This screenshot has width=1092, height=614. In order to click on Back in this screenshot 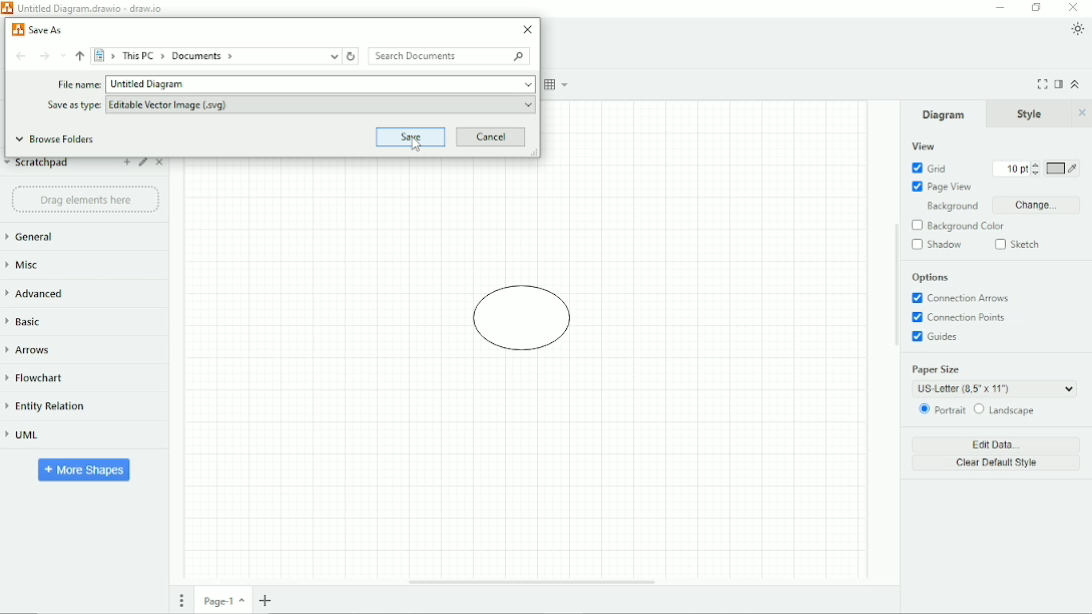, I will do `click(23, 56)`.